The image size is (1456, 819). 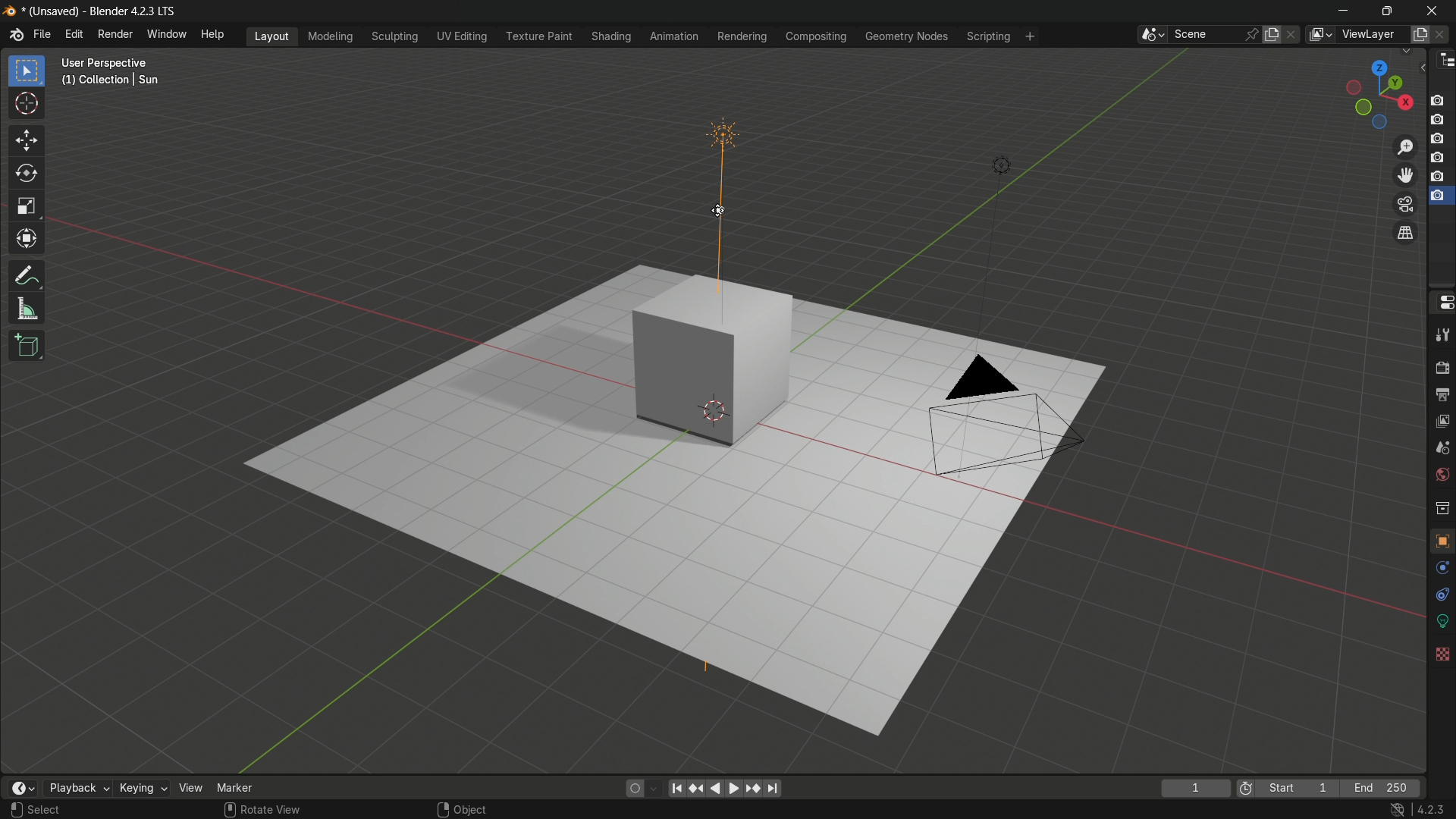 What do you see at coordinates (1343, 9) in the screenshot?
I see `minimize` at bounding box center [1343, 9].